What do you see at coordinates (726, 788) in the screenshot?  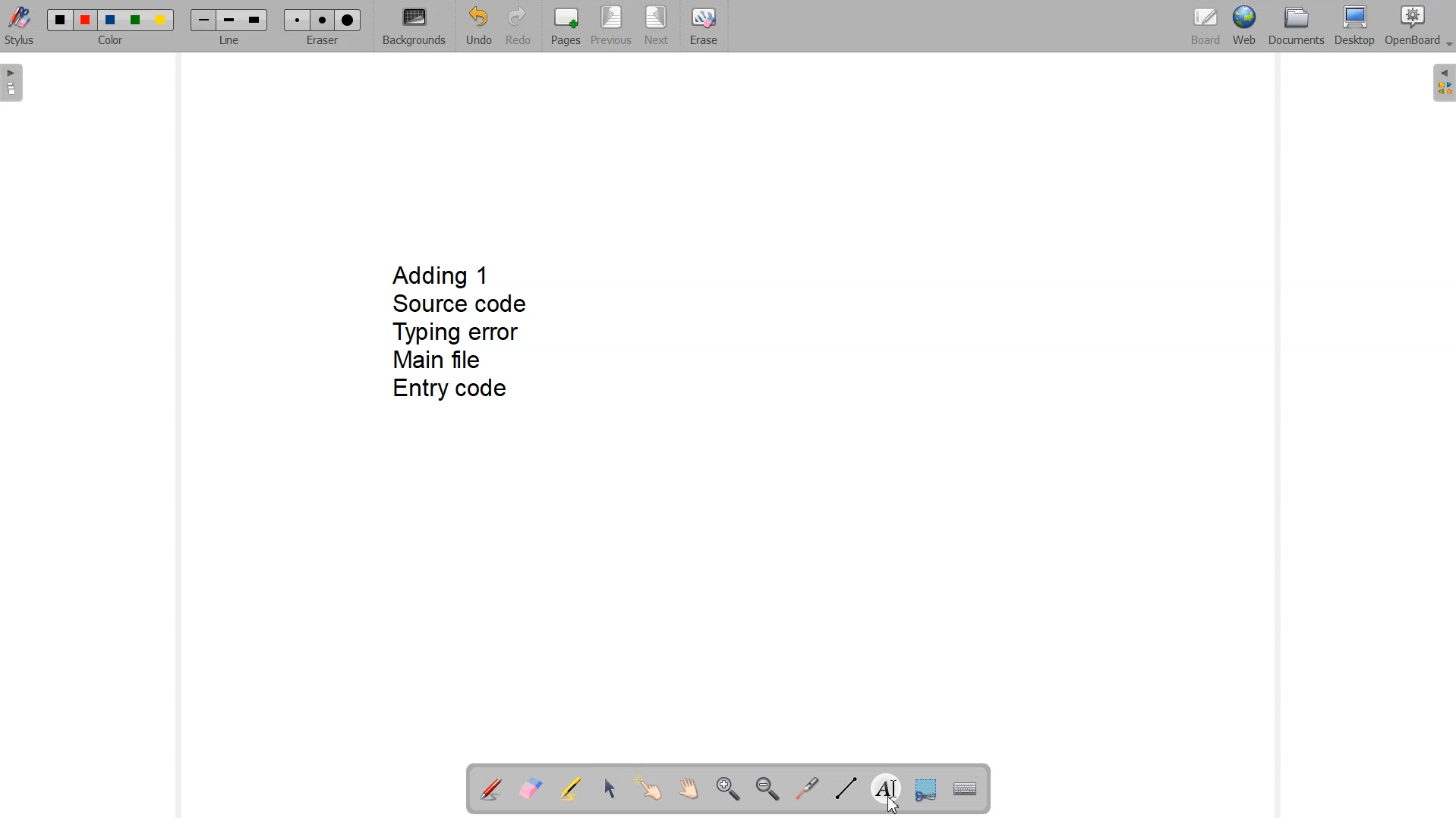 I see `Zoom in` at bounding box center [726, 788].